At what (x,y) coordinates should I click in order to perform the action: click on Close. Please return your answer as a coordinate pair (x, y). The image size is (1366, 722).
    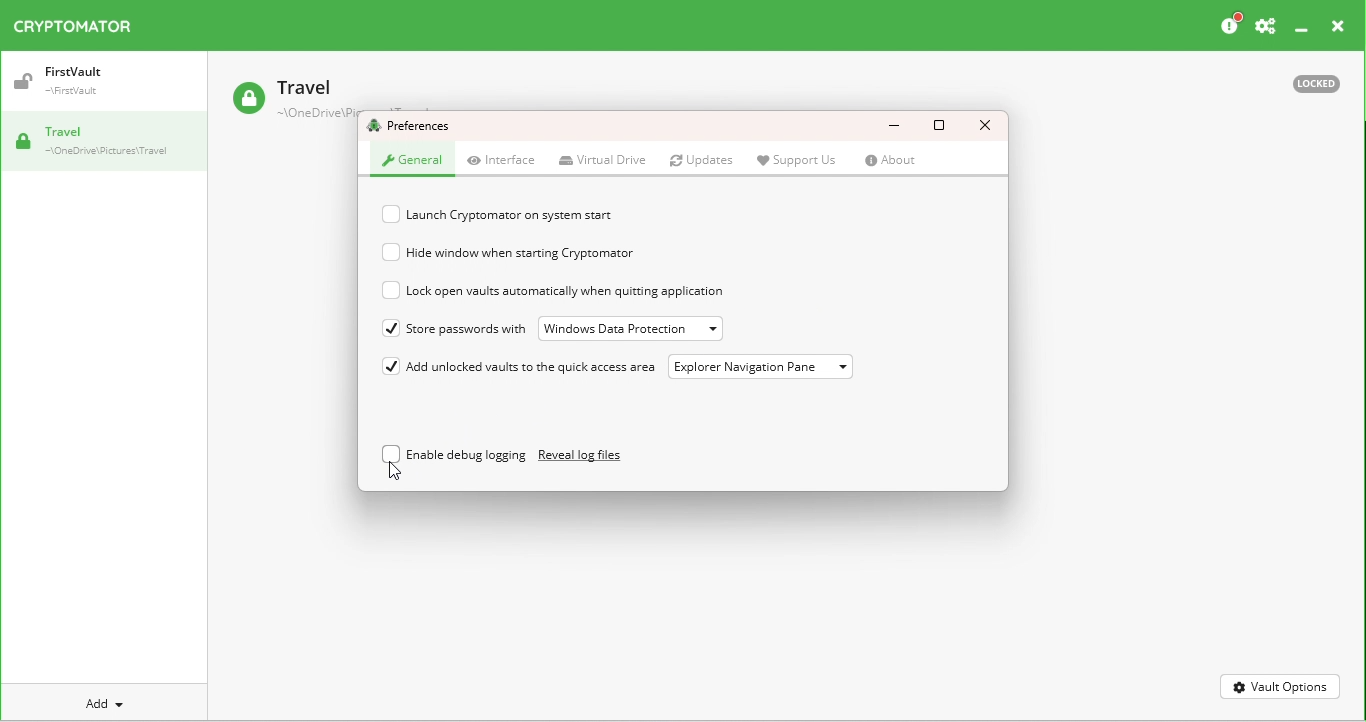
    Looking at the image, I should click on (1333, 26).